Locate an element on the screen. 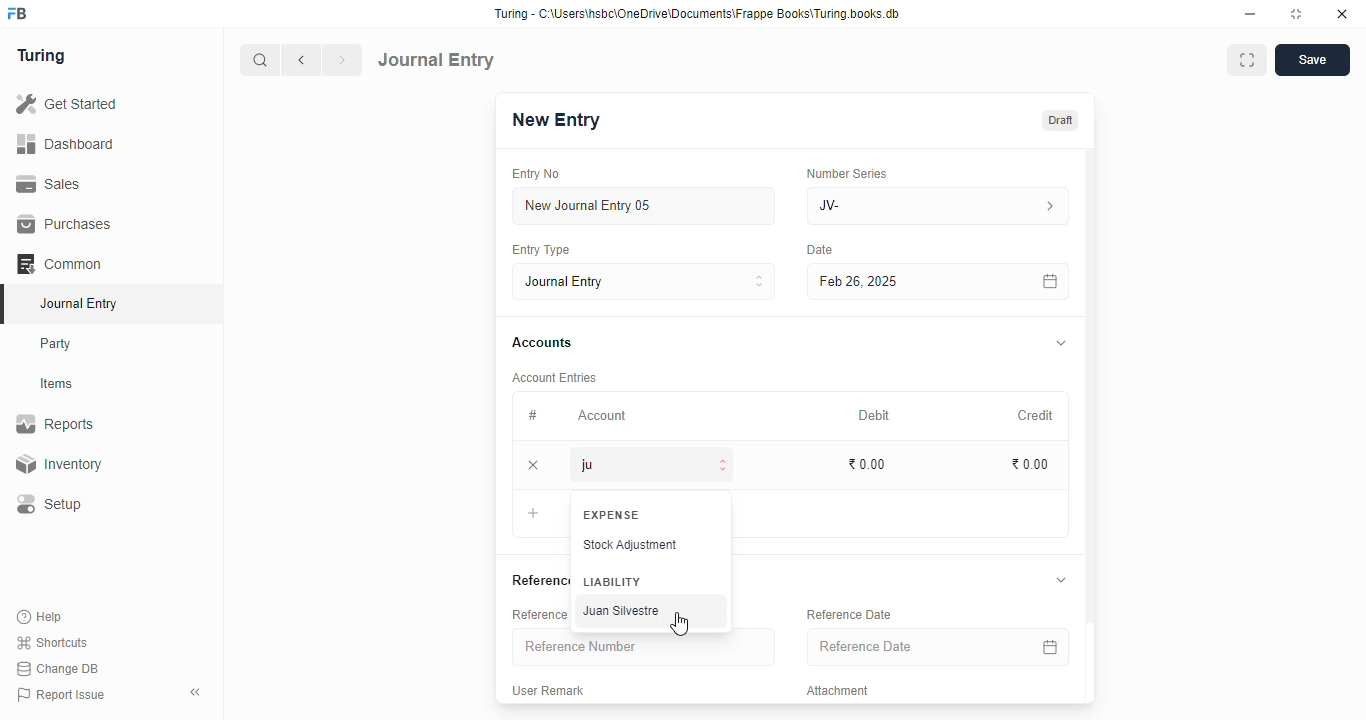 The width and height of the screenshot is (1366, 720). add is located at coordinates (534, 516).